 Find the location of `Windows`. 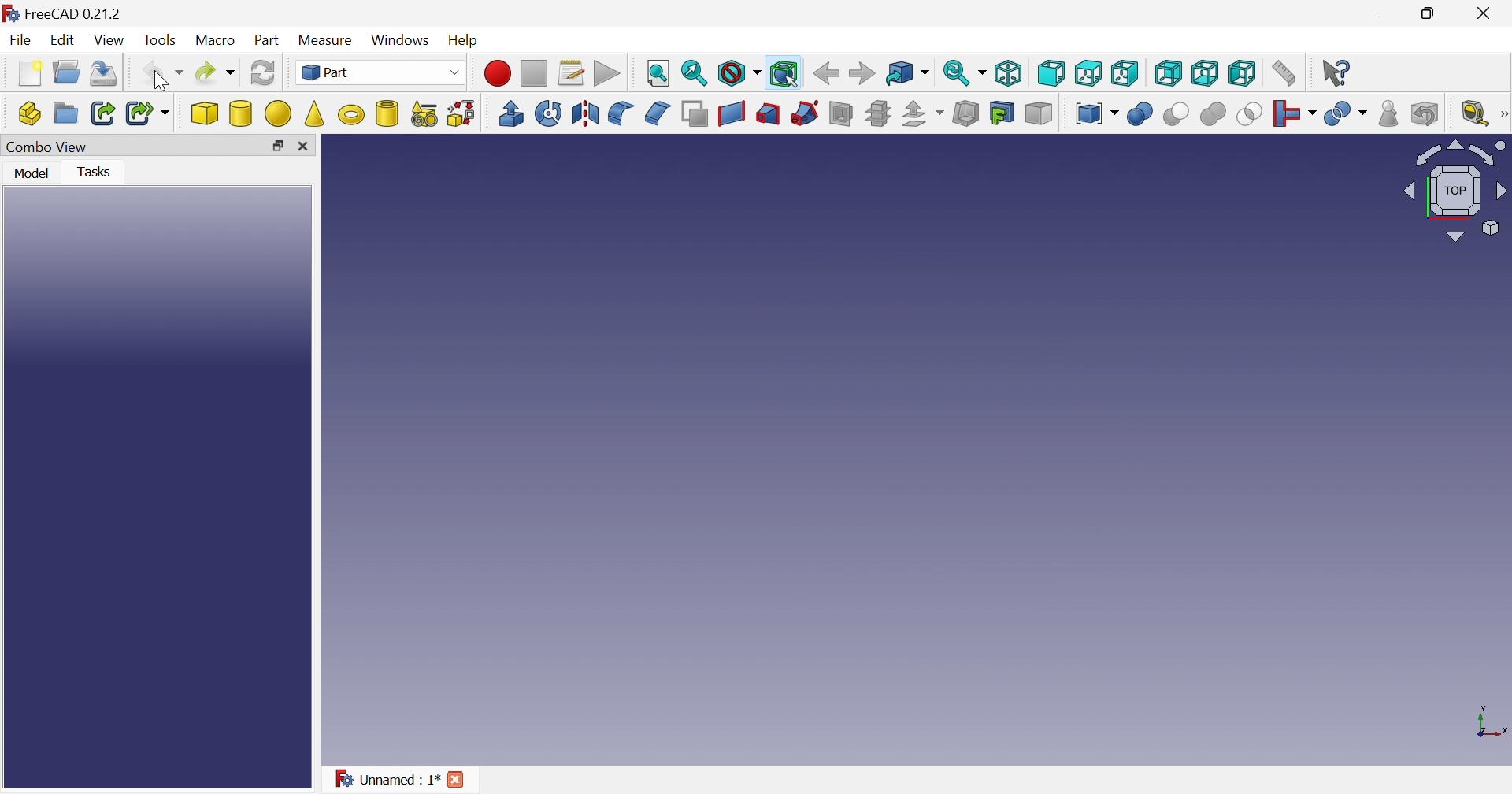

Windows is located at coordinates (400, 39).